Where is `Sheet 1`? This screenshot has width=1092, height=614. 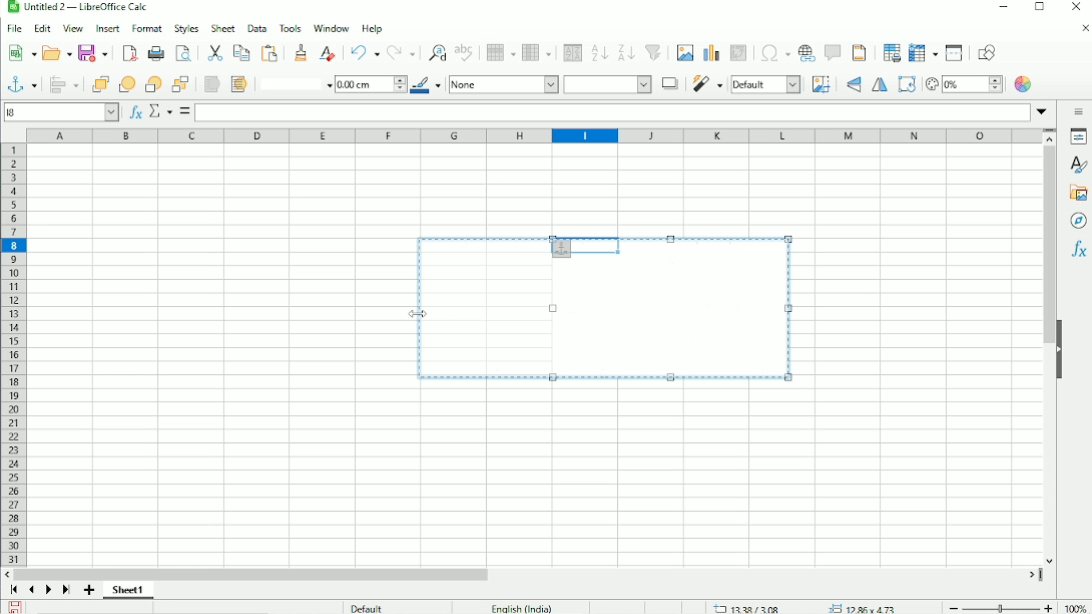 Sheet 1 is located at coordinates (128, 590).